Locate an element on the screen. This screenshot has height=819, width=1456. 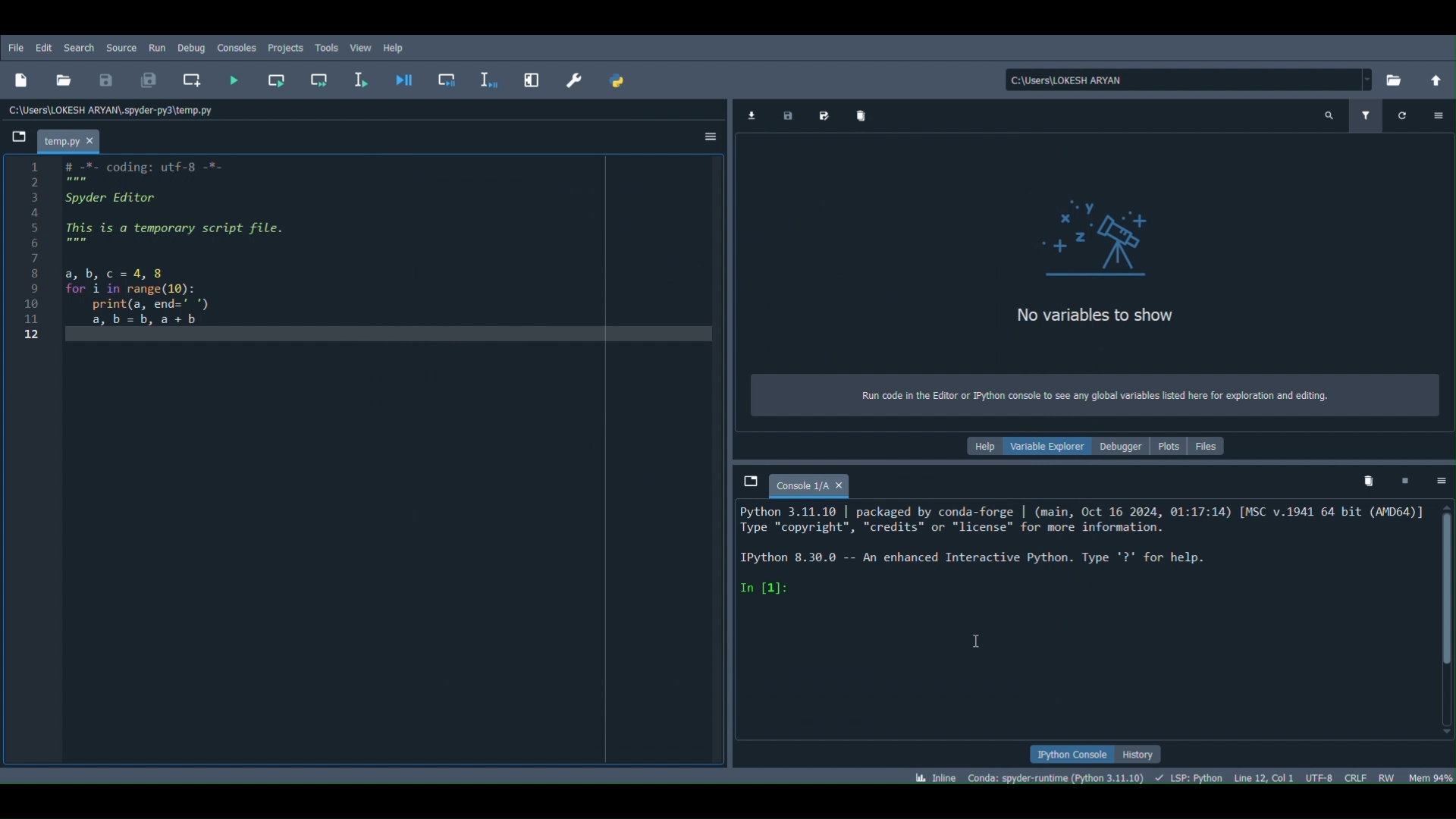
Edit is located at coordinates (45, 46).